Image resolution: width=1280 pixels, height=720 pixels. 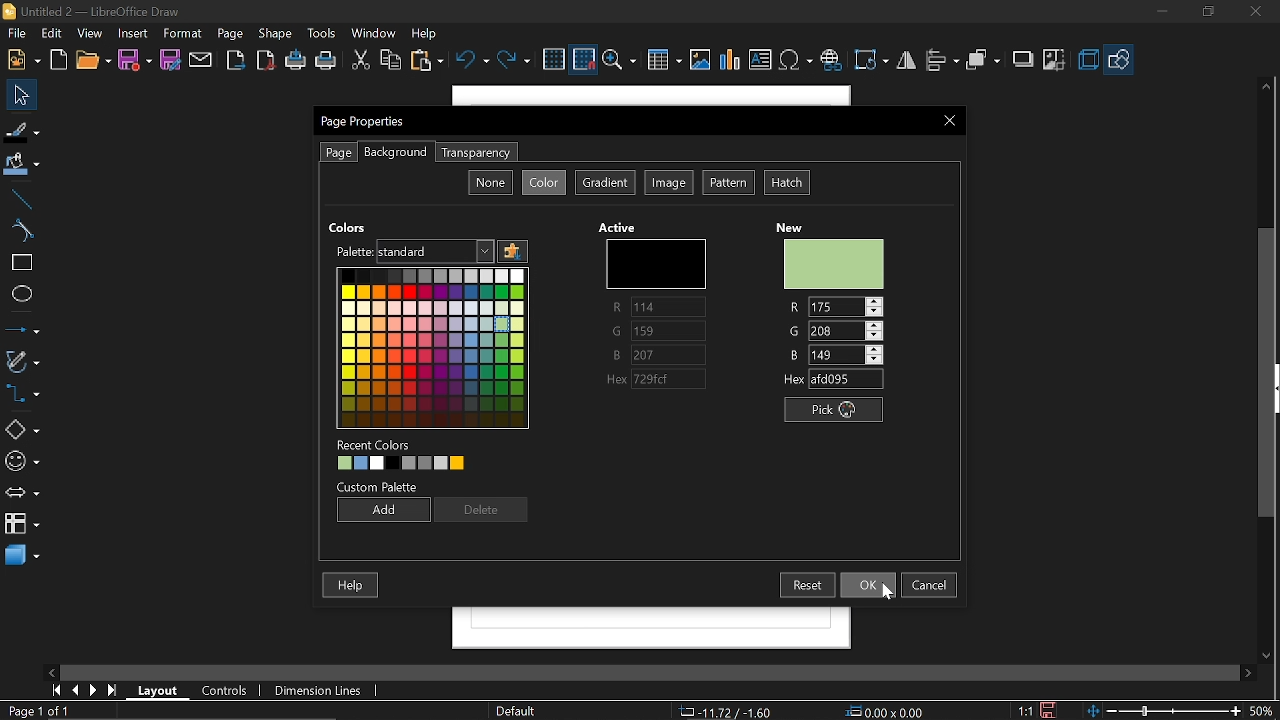 What do you see at coordinates (1264, 654) in the screenshot?
I see `MOve down` at bounding box center [1264, 654].